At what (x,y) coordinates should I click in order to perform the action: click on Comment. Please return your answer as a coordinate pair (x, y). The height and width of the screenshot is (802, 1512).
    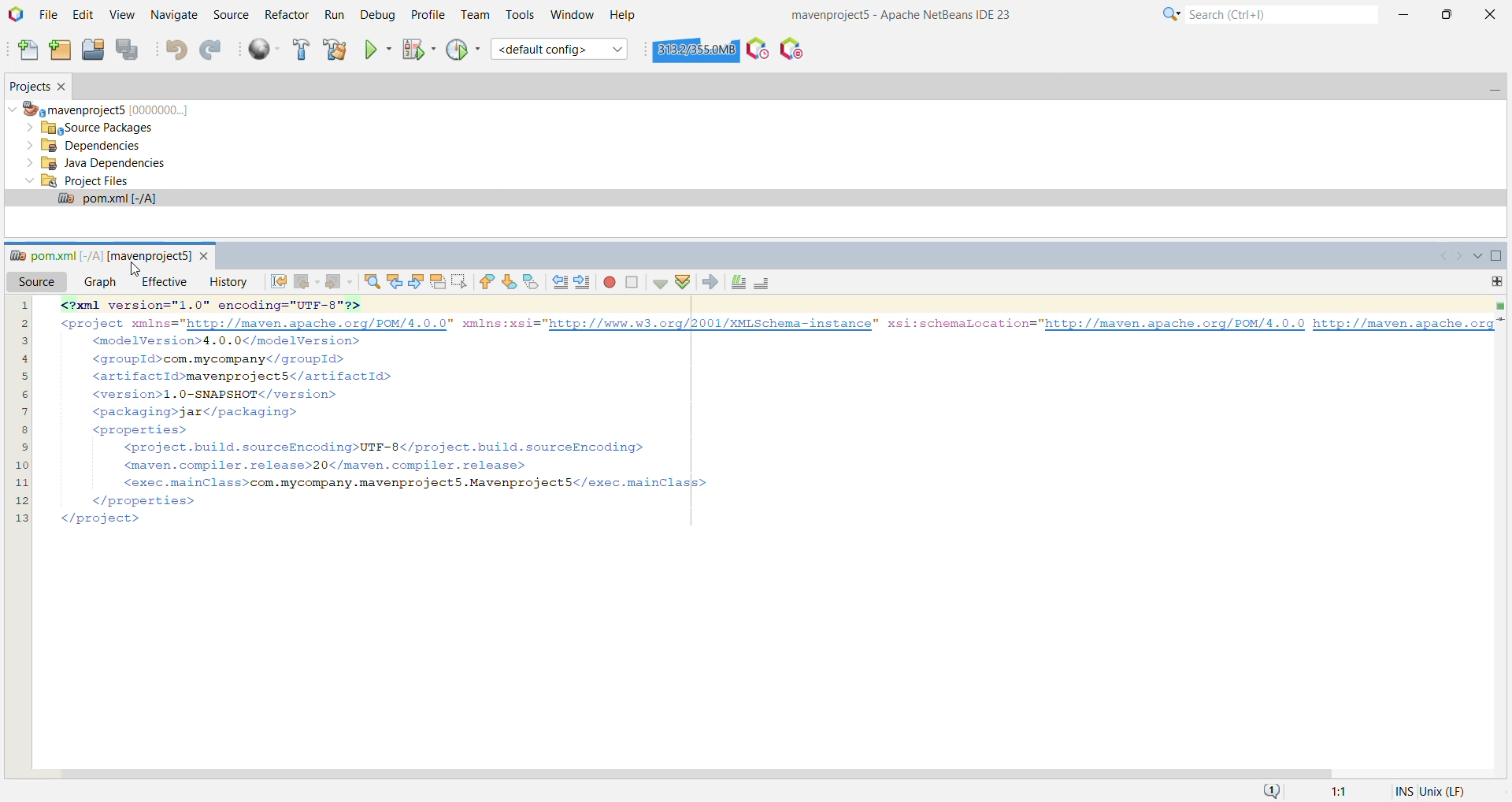
    Looking at the image, I should click on (739, 282).